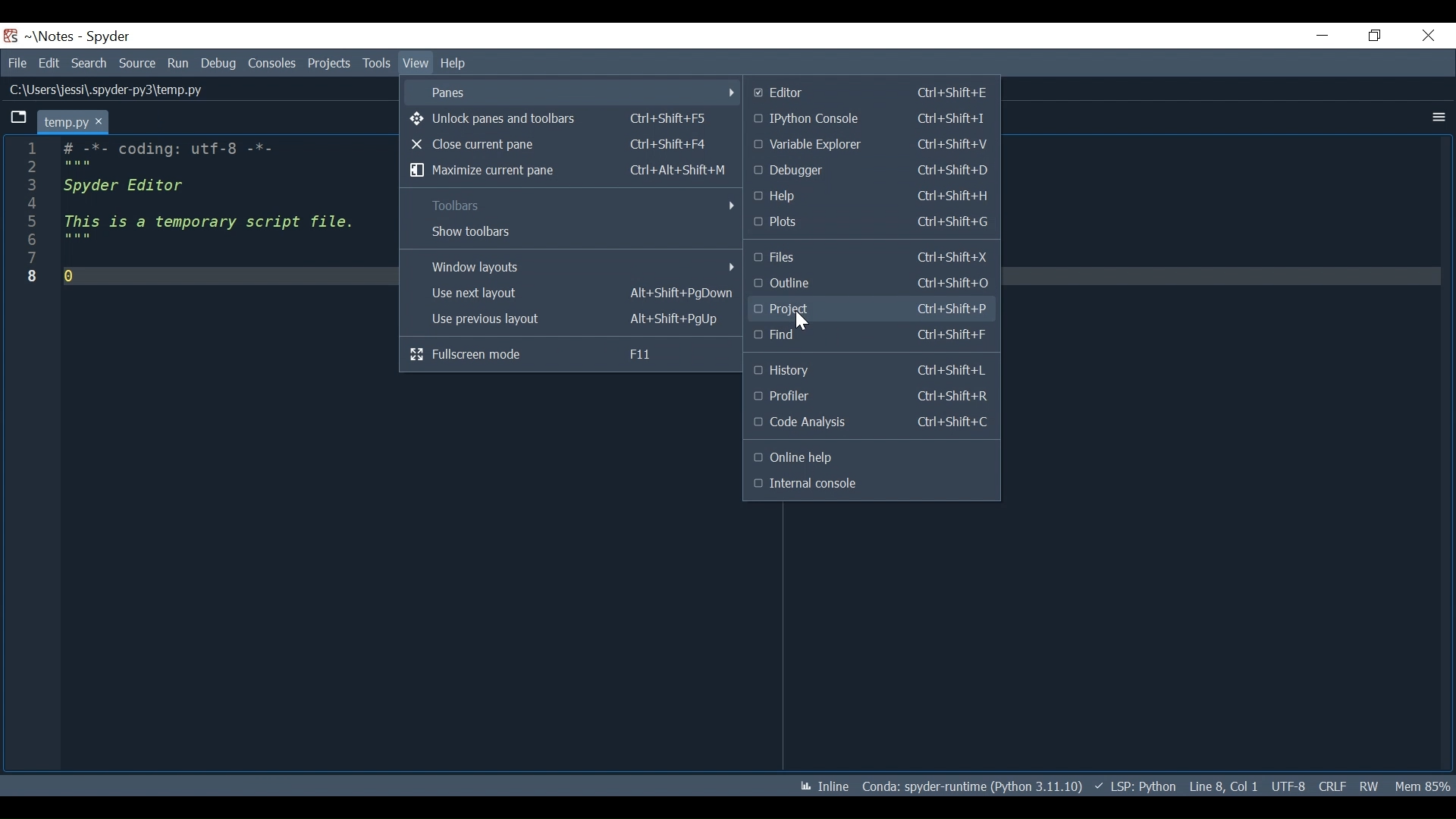  Describe the element at coordinates (1323, 34) in the screenshot. I see `Minimize` at that location.